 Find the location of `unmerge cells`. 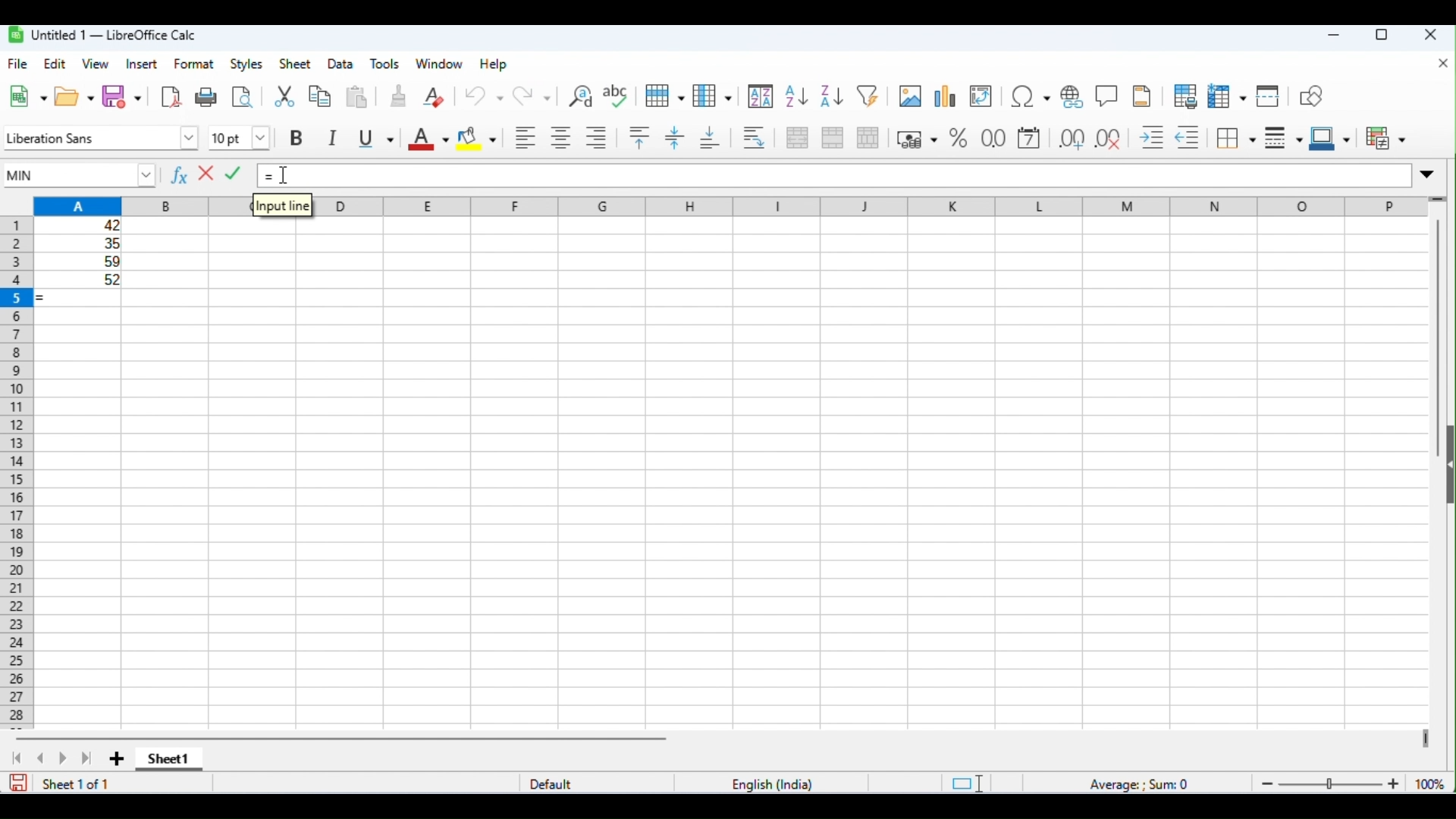

unmerge cells is located at coordinates (868, 137).